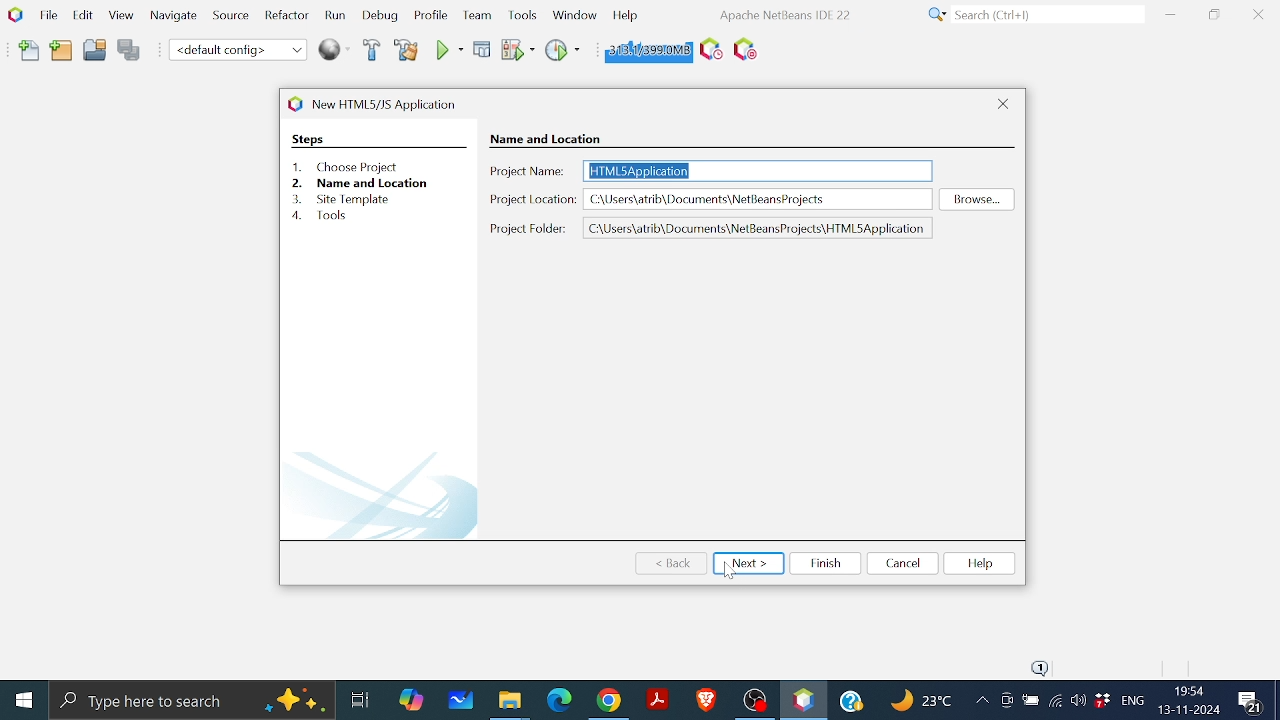  I want to click on 3. Site template, so click(344, 198).